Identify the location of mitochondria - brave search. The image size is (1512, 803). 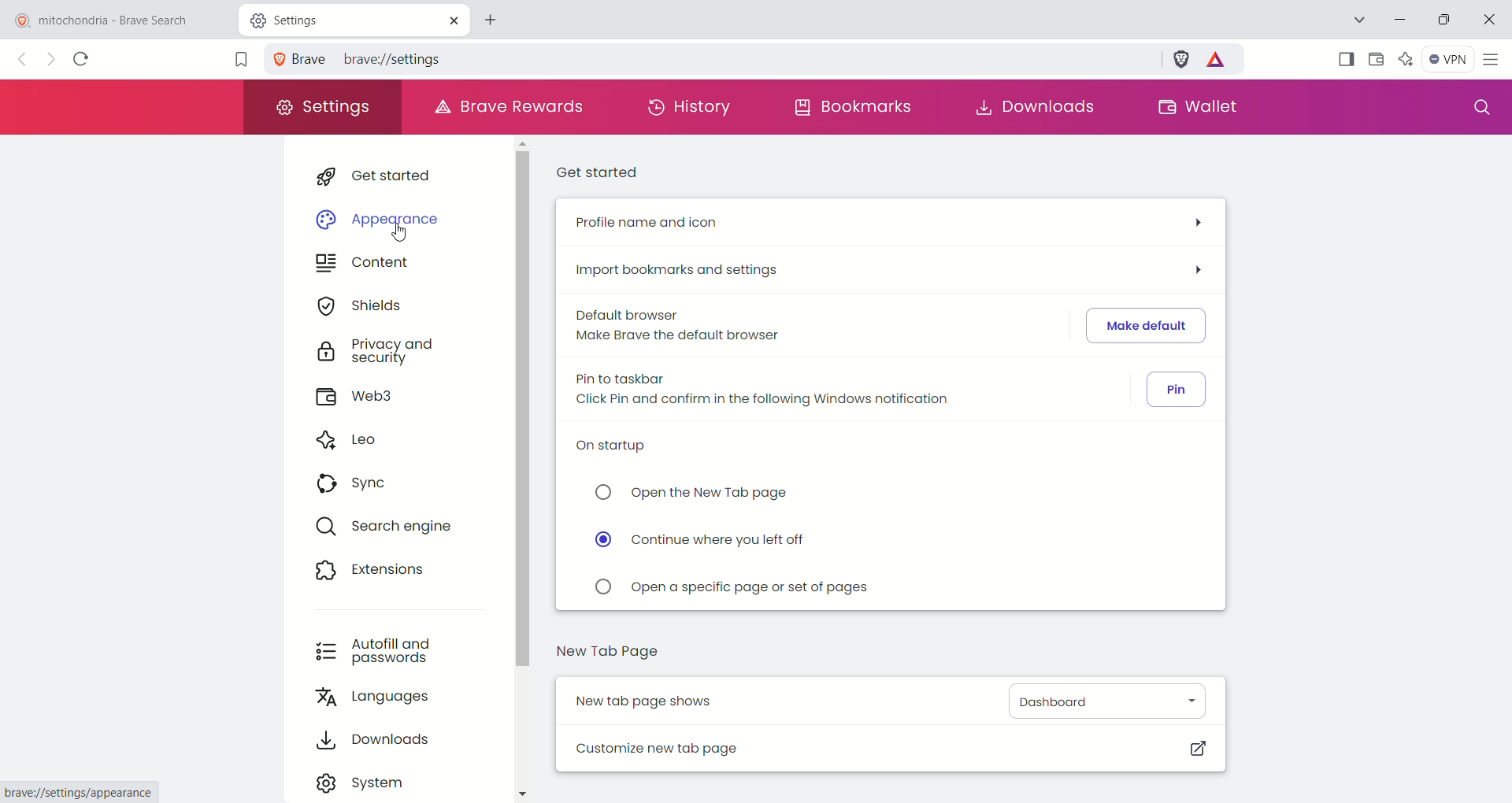
(116, 19).